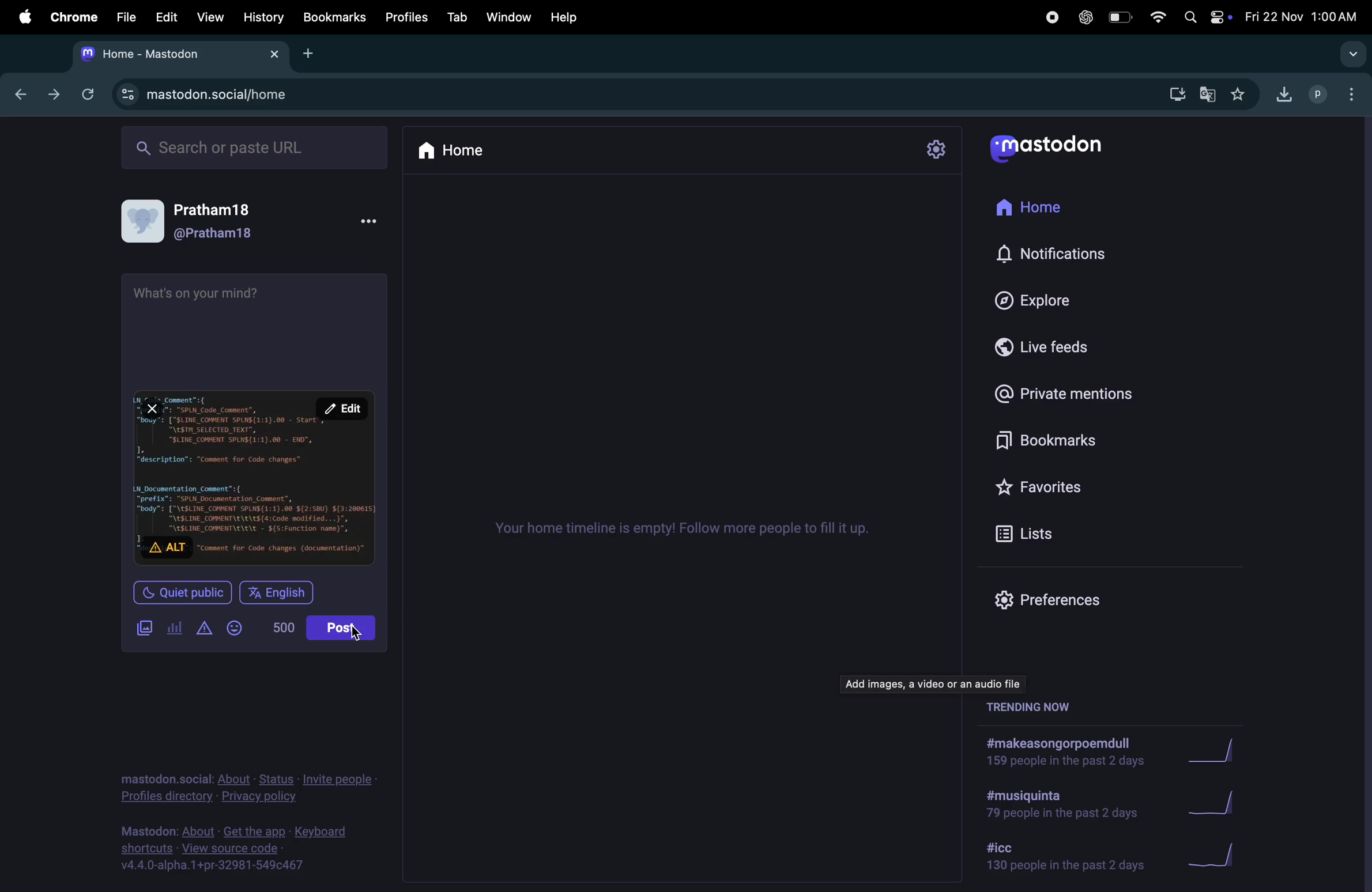  Describe the element at coordinates (1028, 709) in the screenshot. I see `trending now` at that location.